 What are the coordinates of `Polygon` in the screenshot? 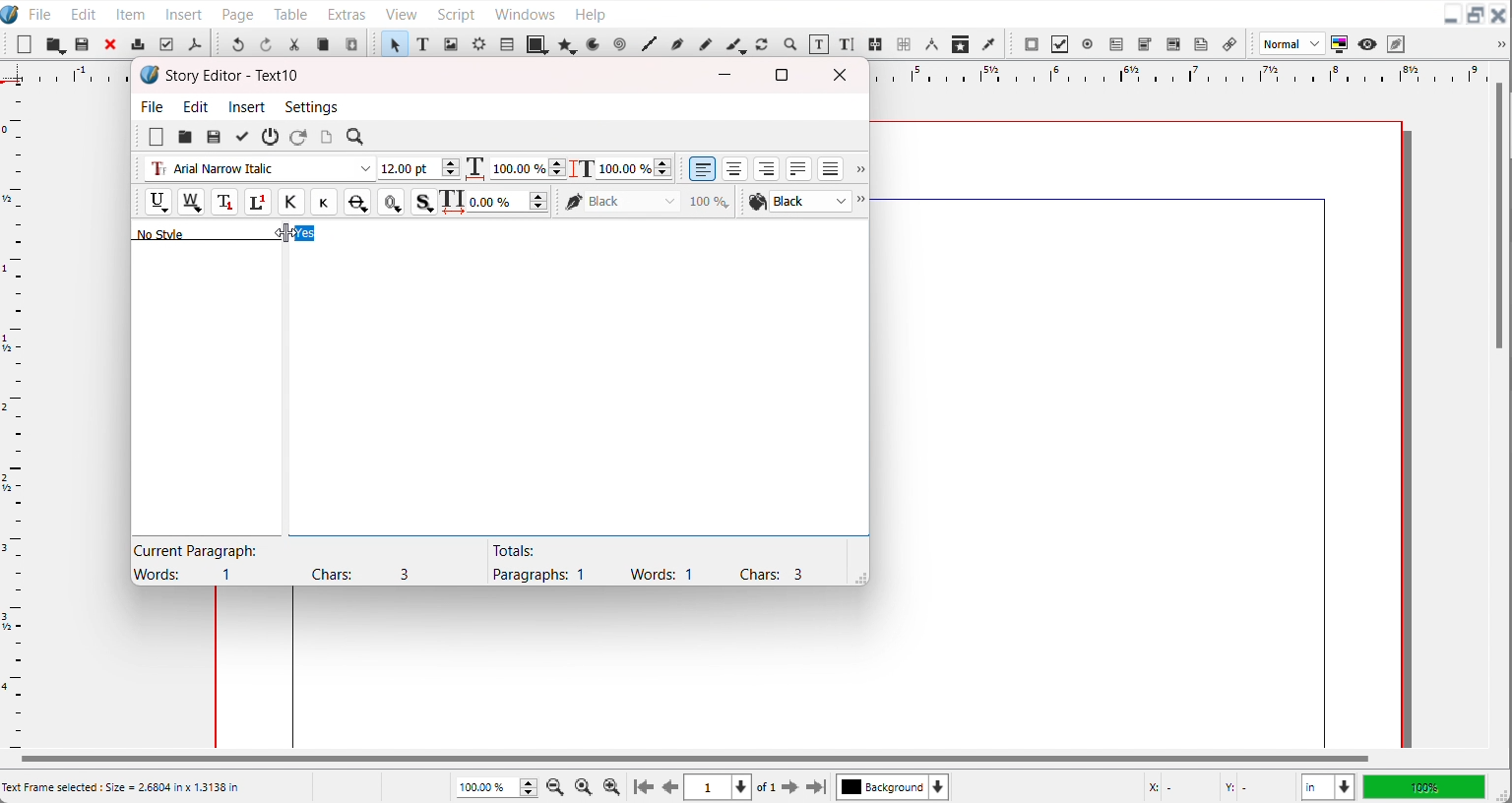 It's located at (568, 44).